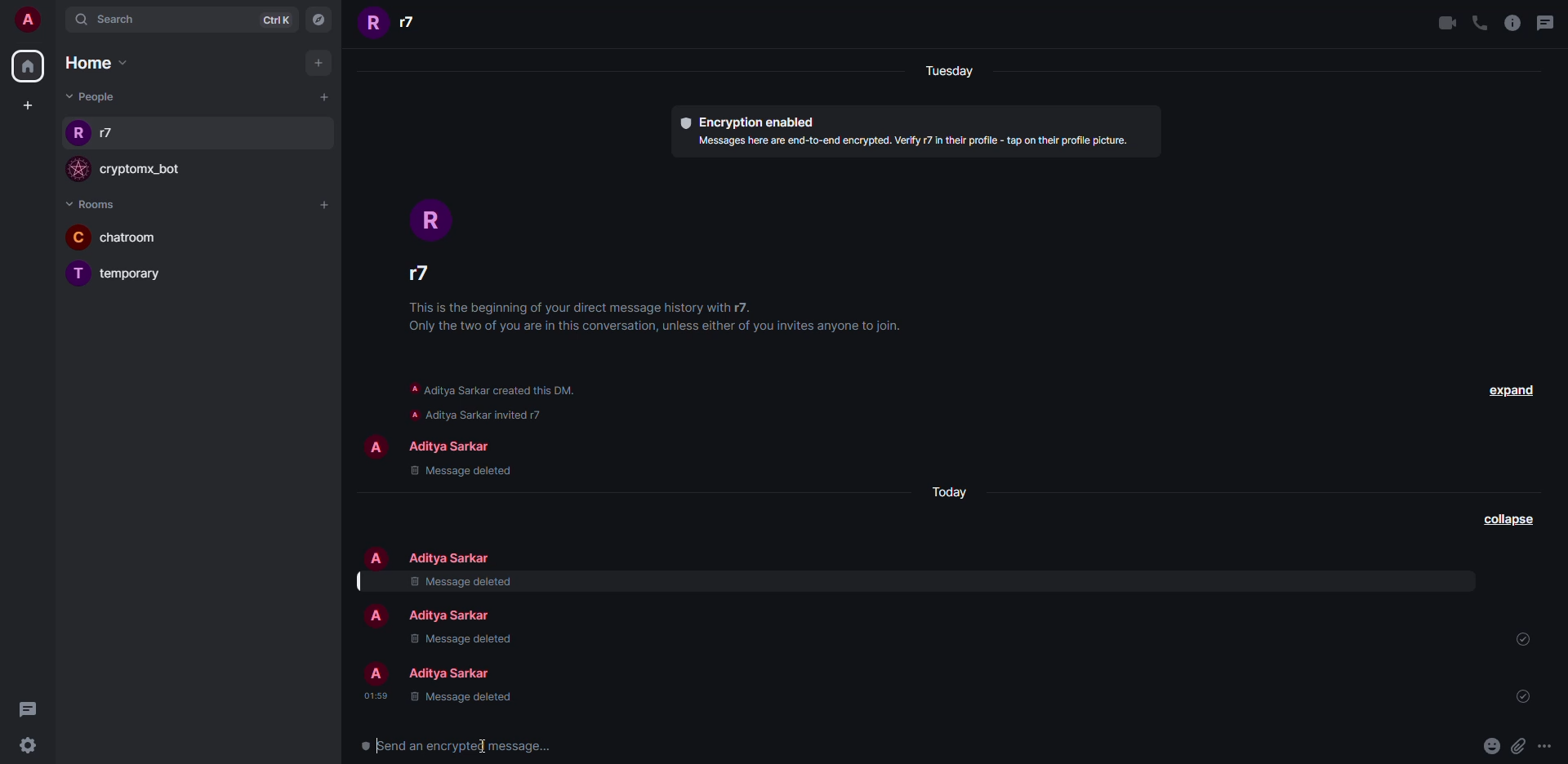 Image resolution: width=1568 pixels, height=764 pixels. I want to click on time, so click(375, 695).